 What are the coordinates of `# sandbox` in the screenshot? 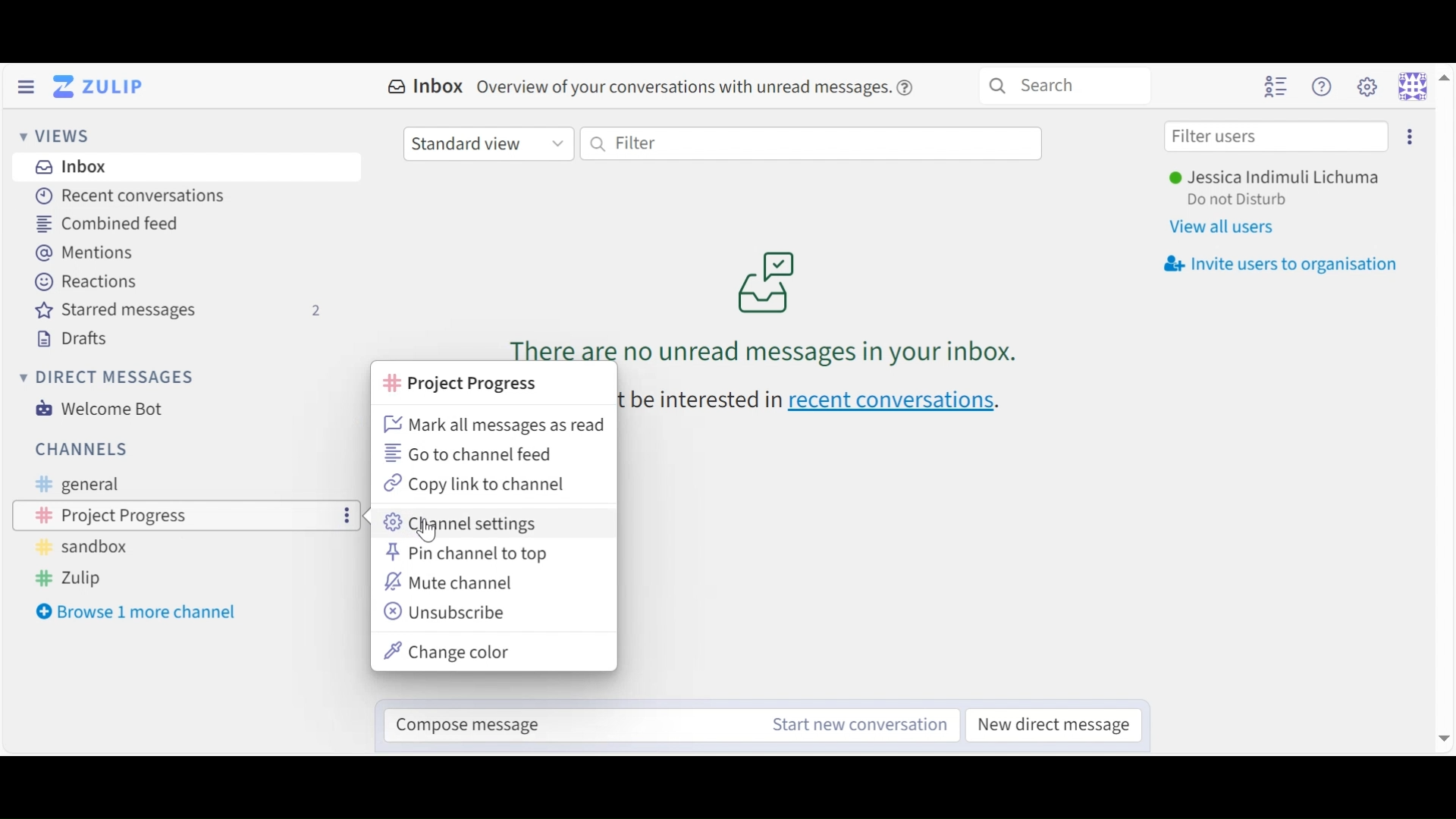 It's located at (82, 548).